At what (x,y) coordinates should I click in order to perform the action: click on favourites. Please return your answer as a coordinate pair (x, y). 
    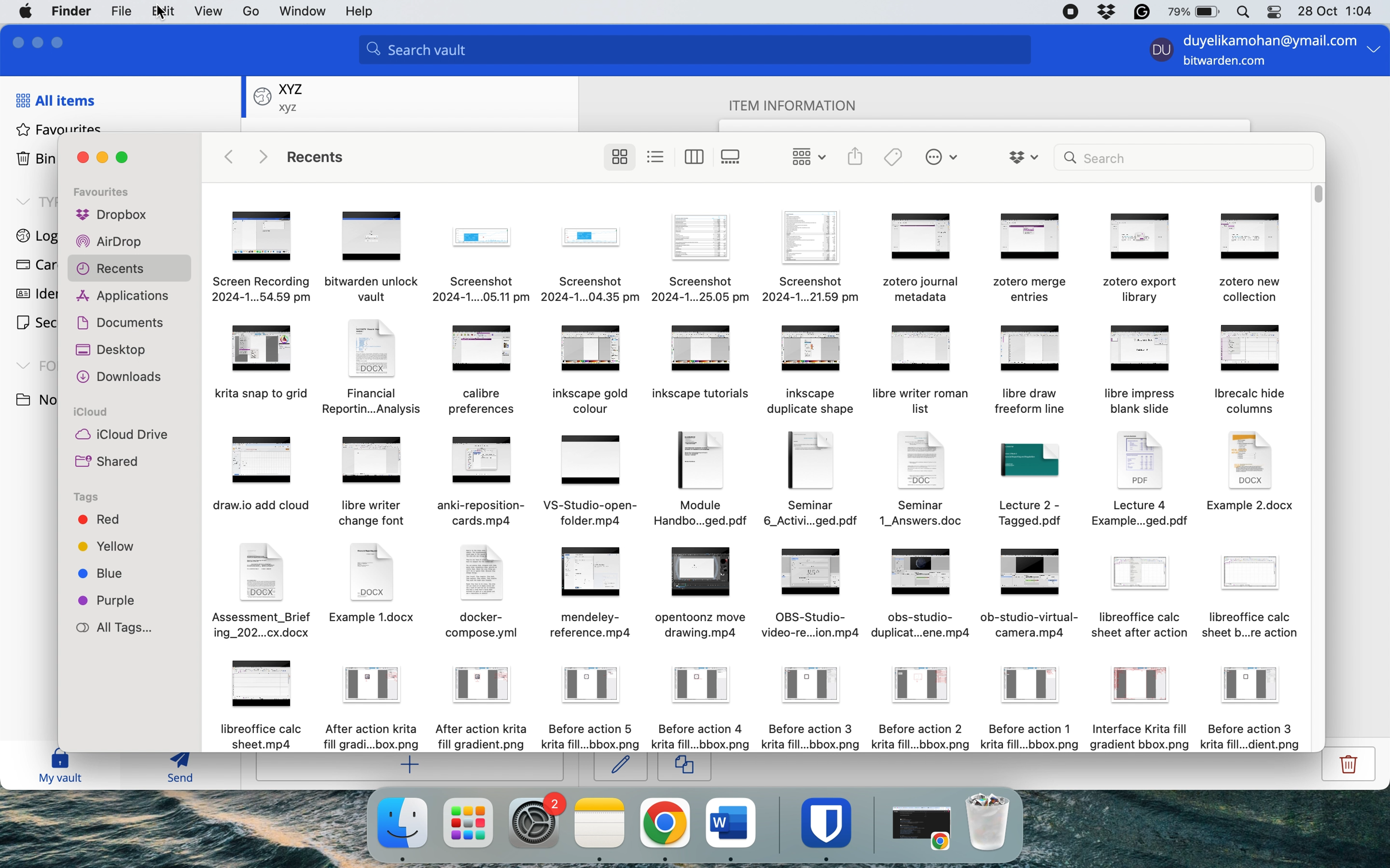
    Looking at the image, I should click on (107, 192).